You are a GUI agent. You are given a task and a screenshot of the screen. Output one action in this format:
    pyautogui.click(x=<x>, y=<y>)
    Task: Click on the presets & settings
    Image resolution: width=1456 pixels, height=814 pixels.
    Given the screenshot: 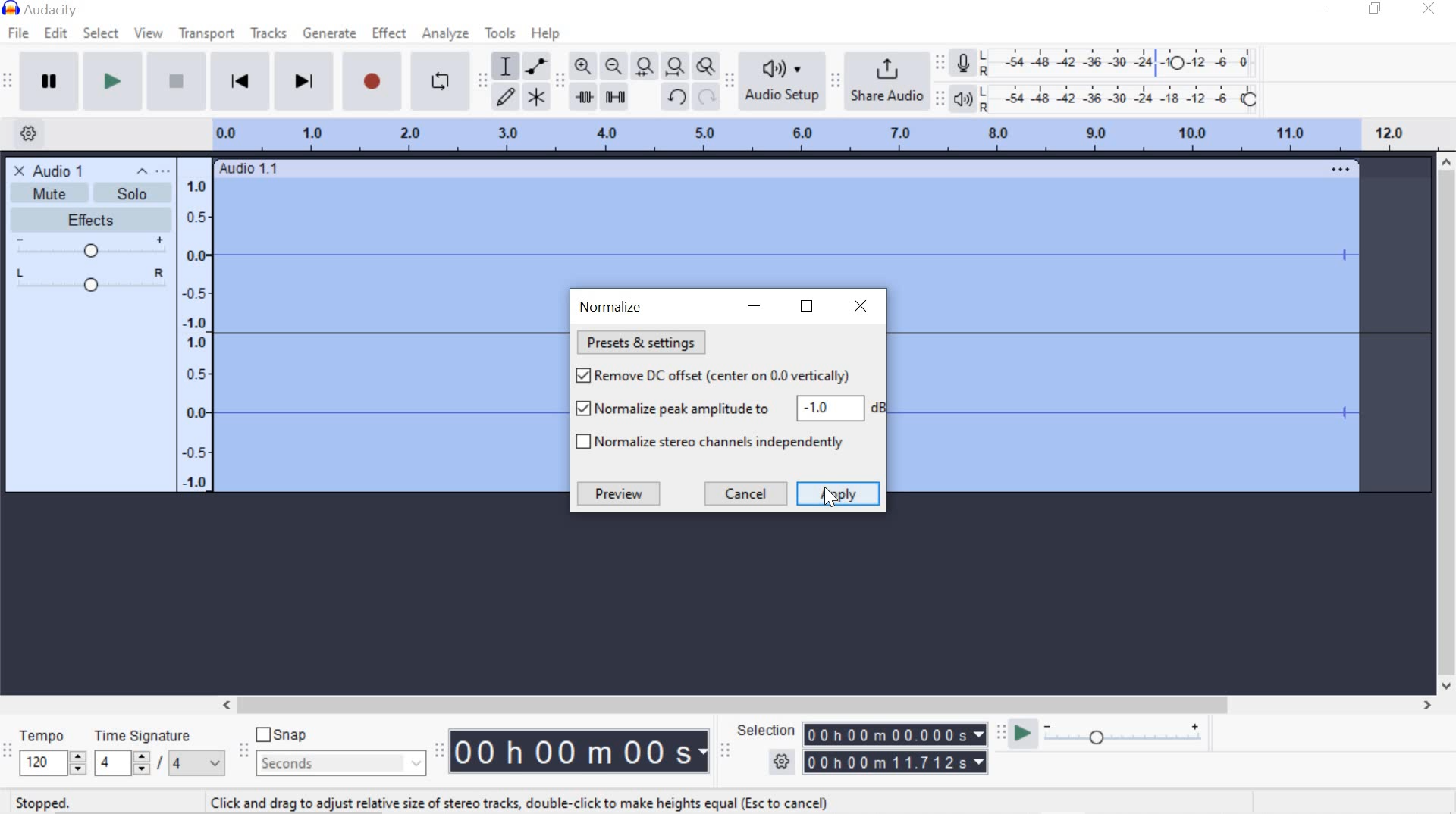 What is the action you would take?
    pyautogui.click(x=645, y=343)
    